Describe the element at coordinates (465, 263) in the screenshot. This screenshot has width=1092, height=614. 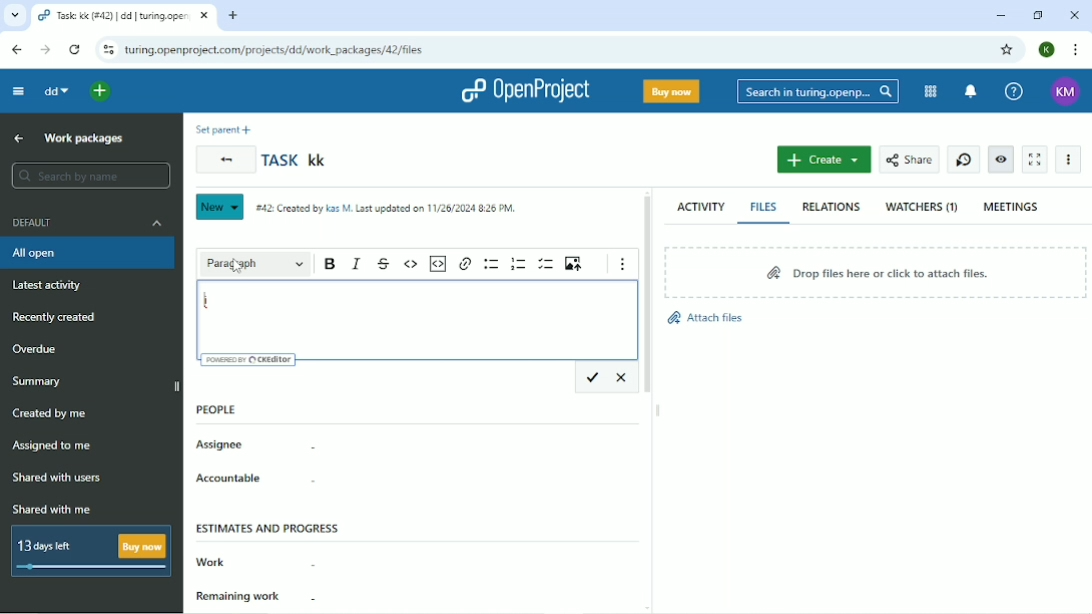
I see `Link` at that location.